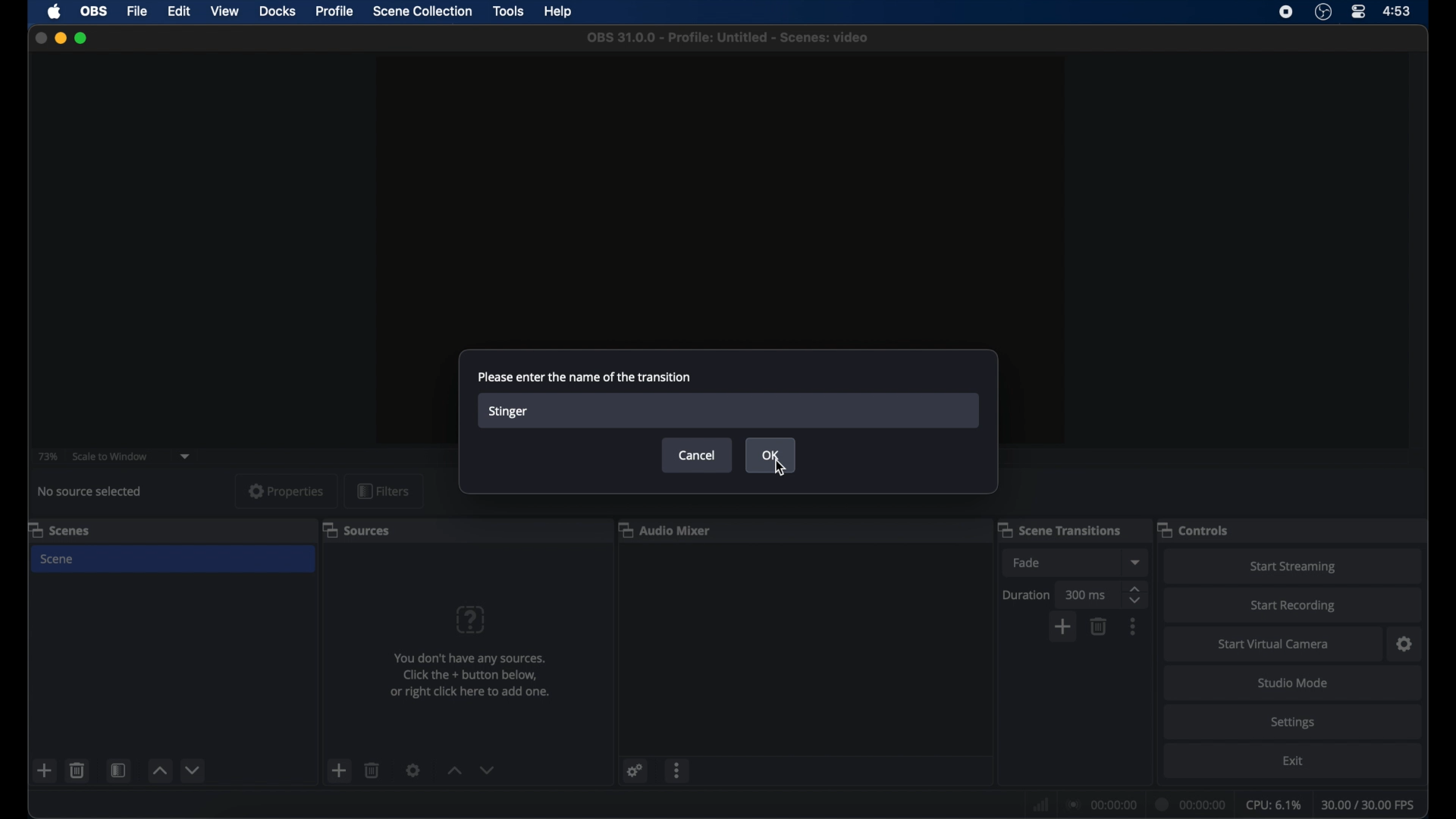  I want to click on screen recorder icon, so click(1287, 12).